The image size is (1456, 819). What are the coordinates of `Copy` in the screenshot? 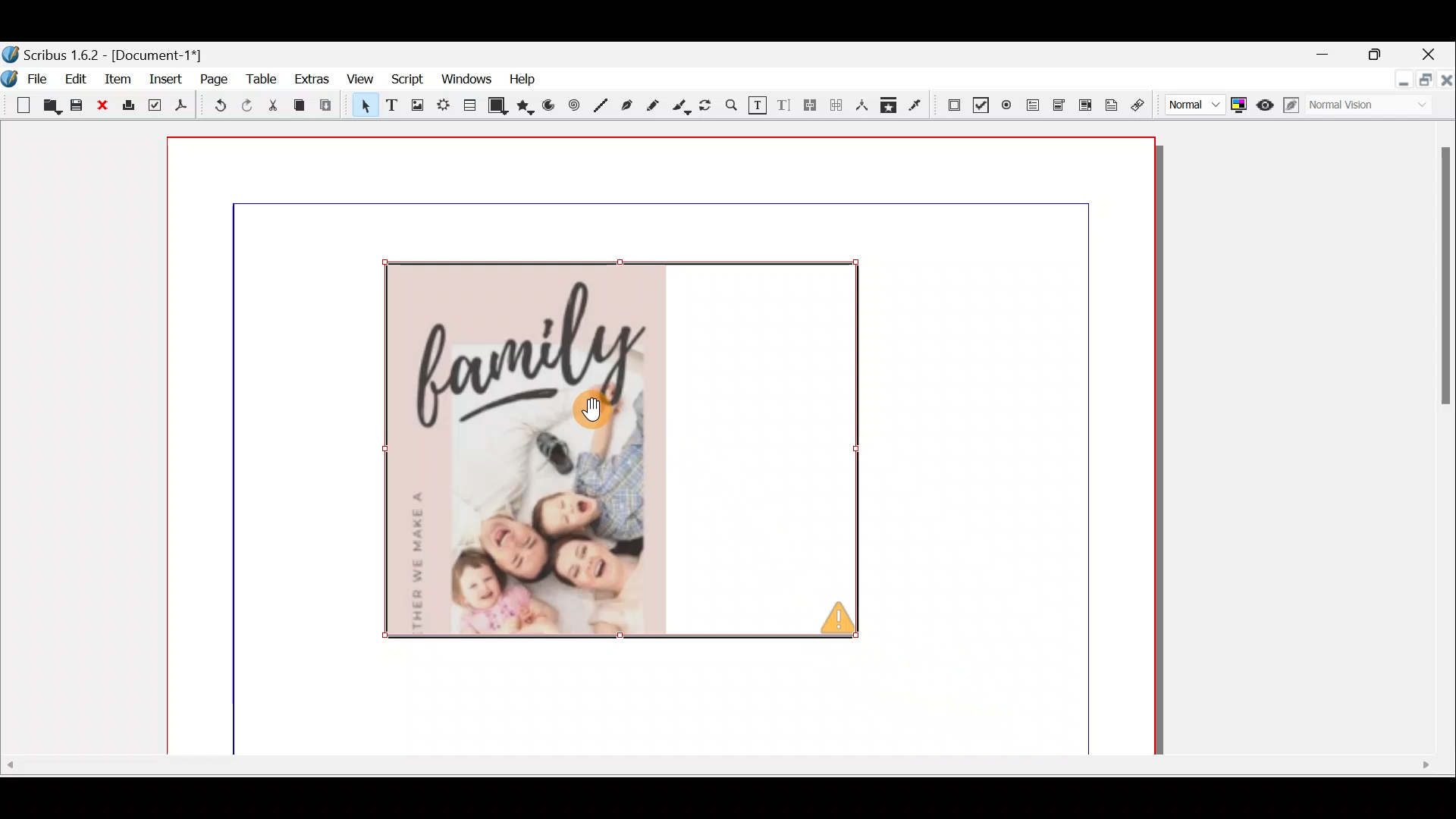 It's located at (303, 106).